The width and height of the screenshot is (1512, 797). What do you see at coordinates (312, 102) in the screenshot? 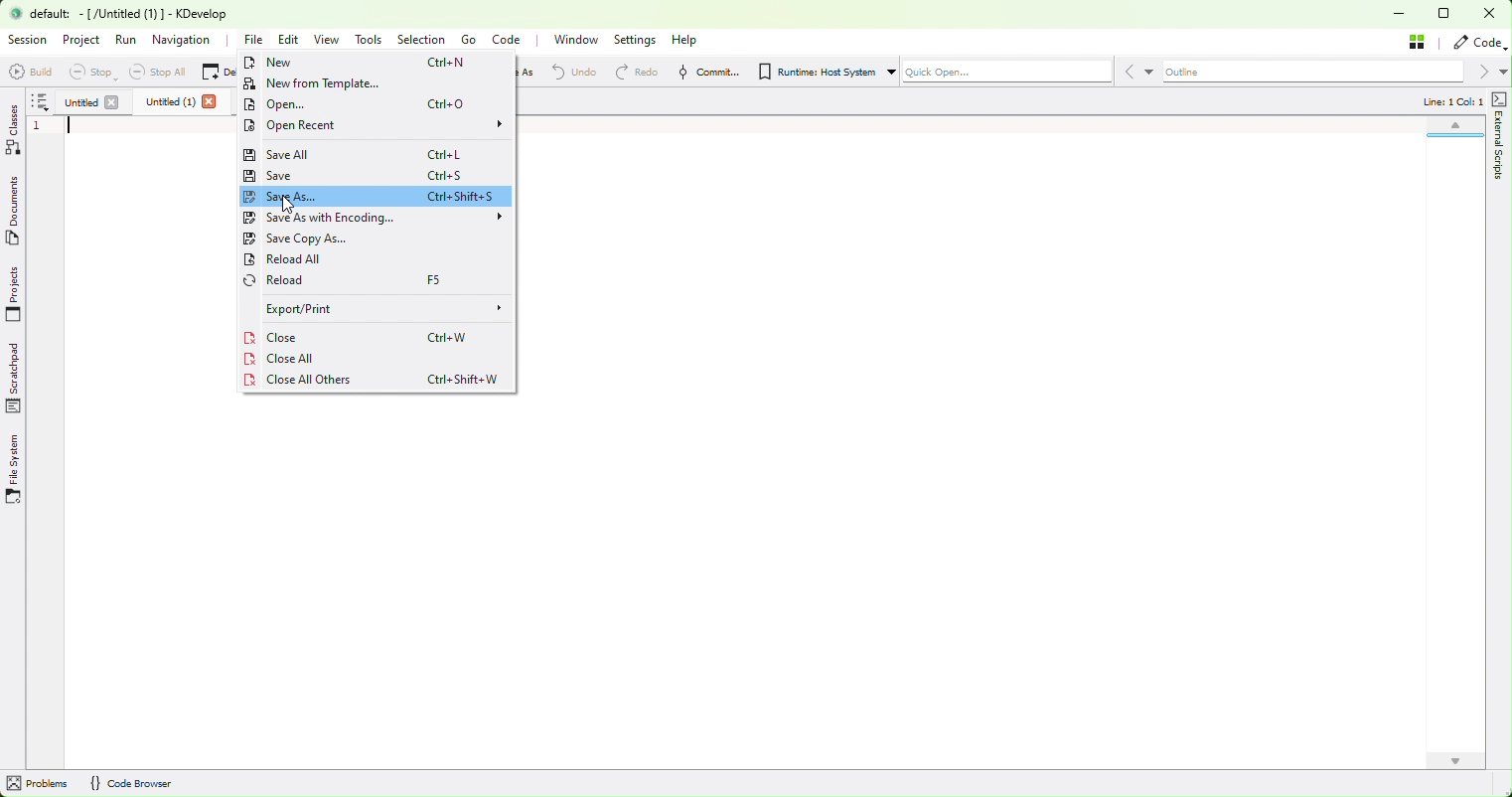
I see `Open` at bounding box center [312, 102].